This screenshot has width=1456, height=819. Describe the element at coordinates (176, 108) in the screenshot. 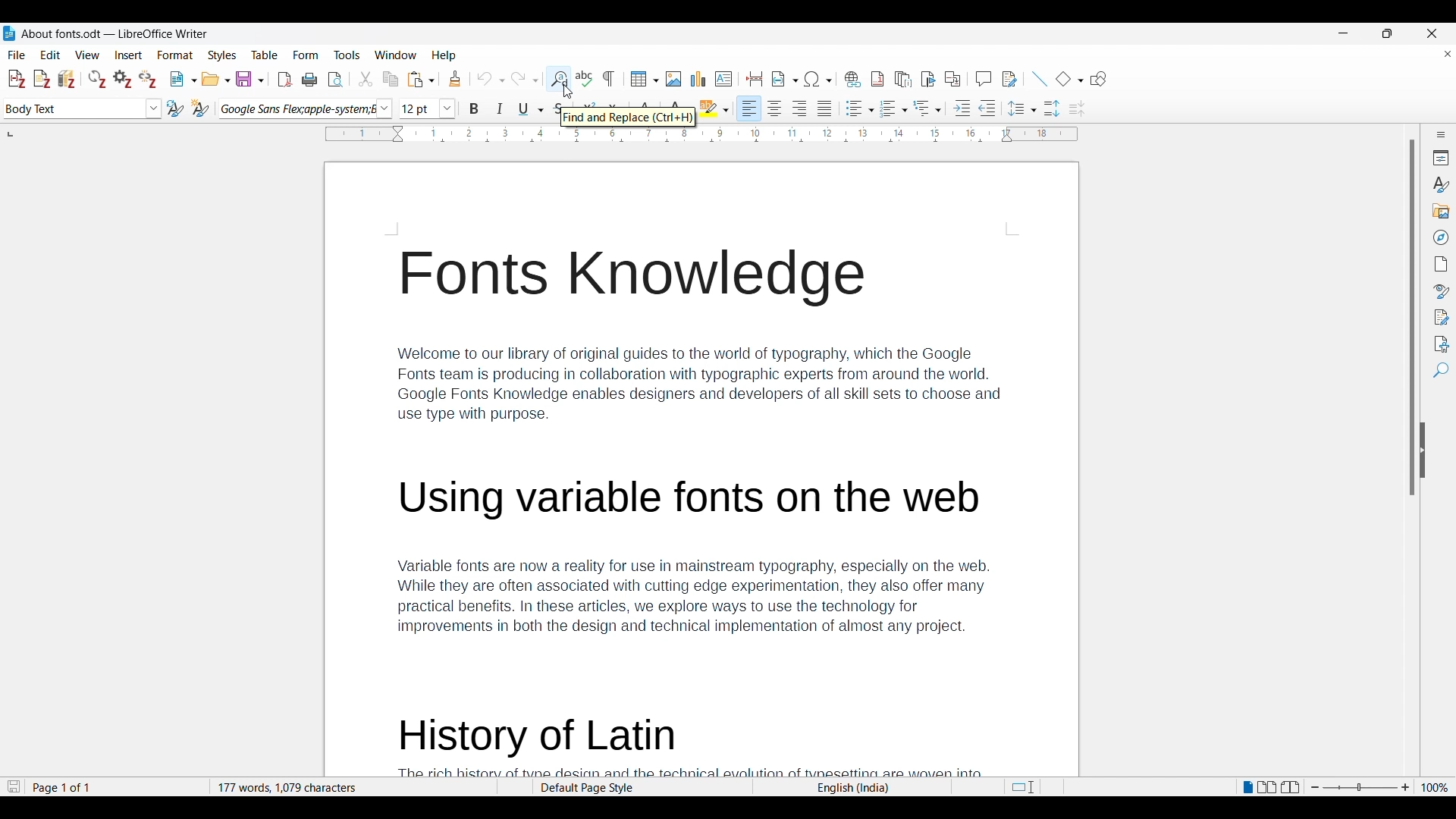

I see `Update selected style` at that location.